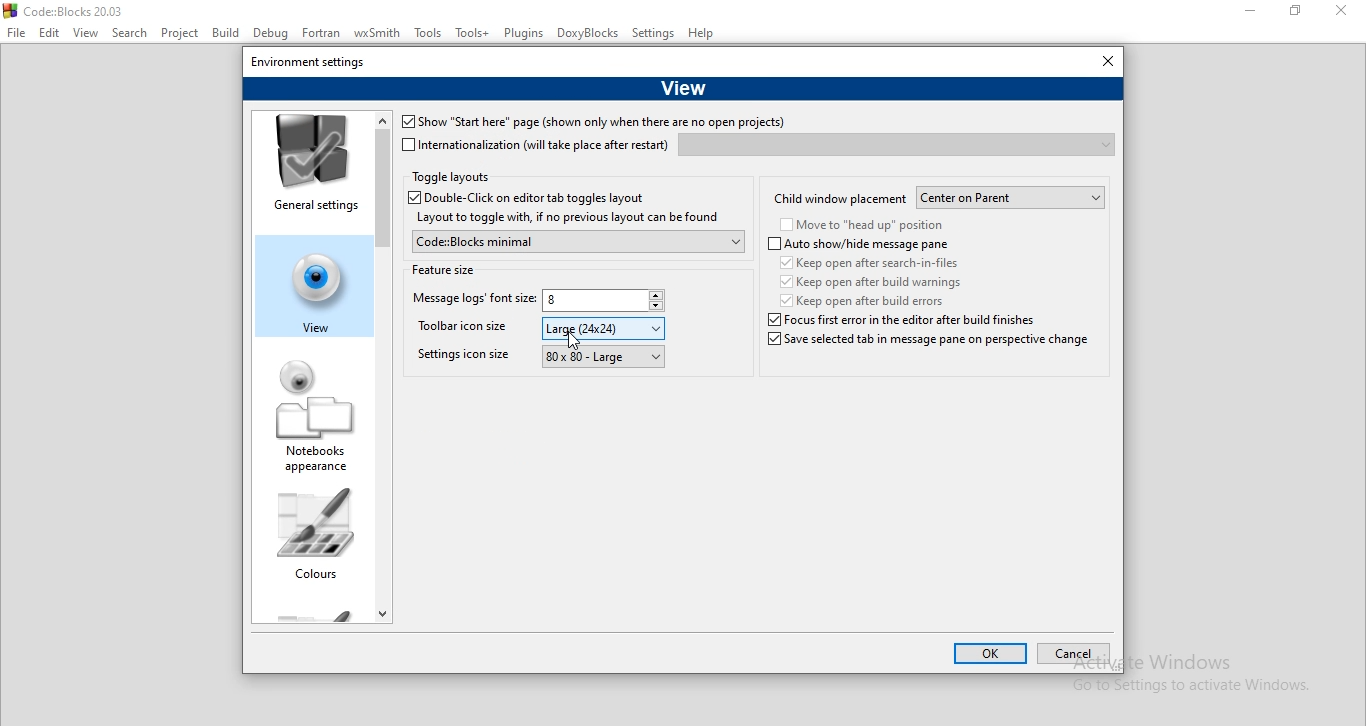 This screenshot has width=1366, height=726. I want to click on Move to "head up" position , so click(862, 226).